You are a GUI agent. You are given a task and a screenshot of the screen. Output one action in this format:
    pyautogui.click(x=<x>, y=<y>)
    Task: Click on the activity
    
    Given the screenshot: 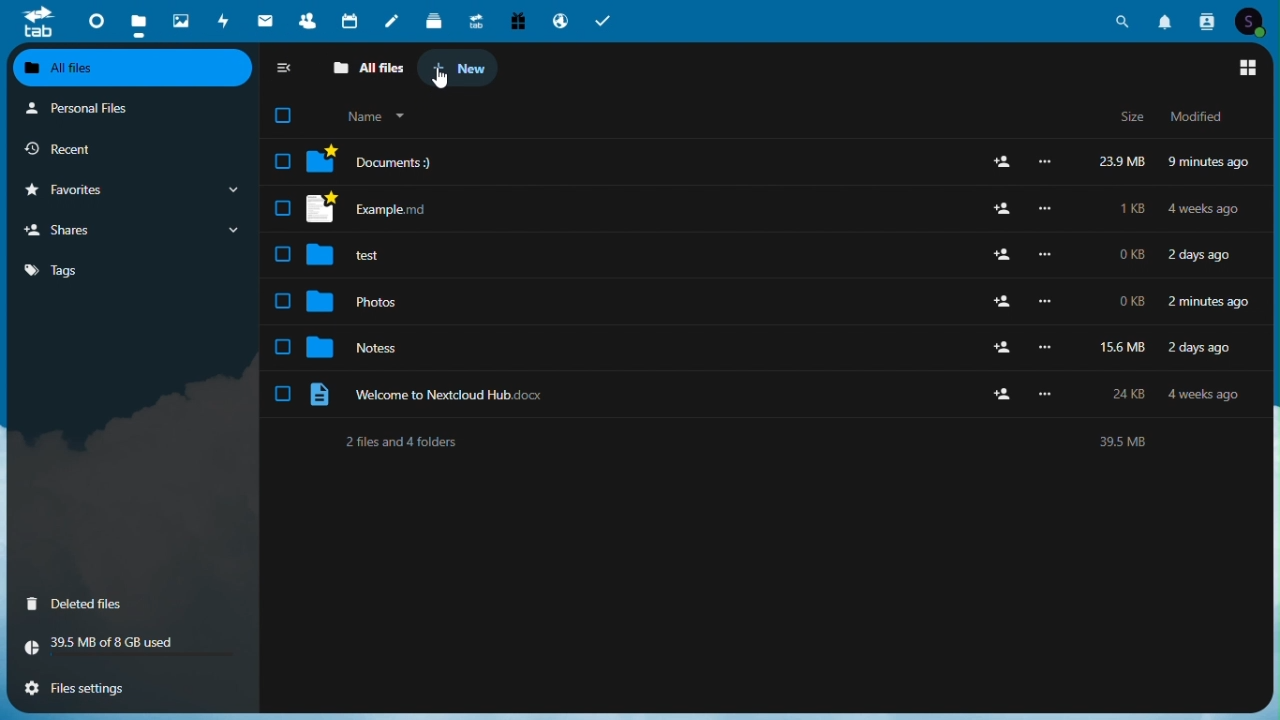 What is the action you would take?
    pyautogui.click(x=224, y=19)
    